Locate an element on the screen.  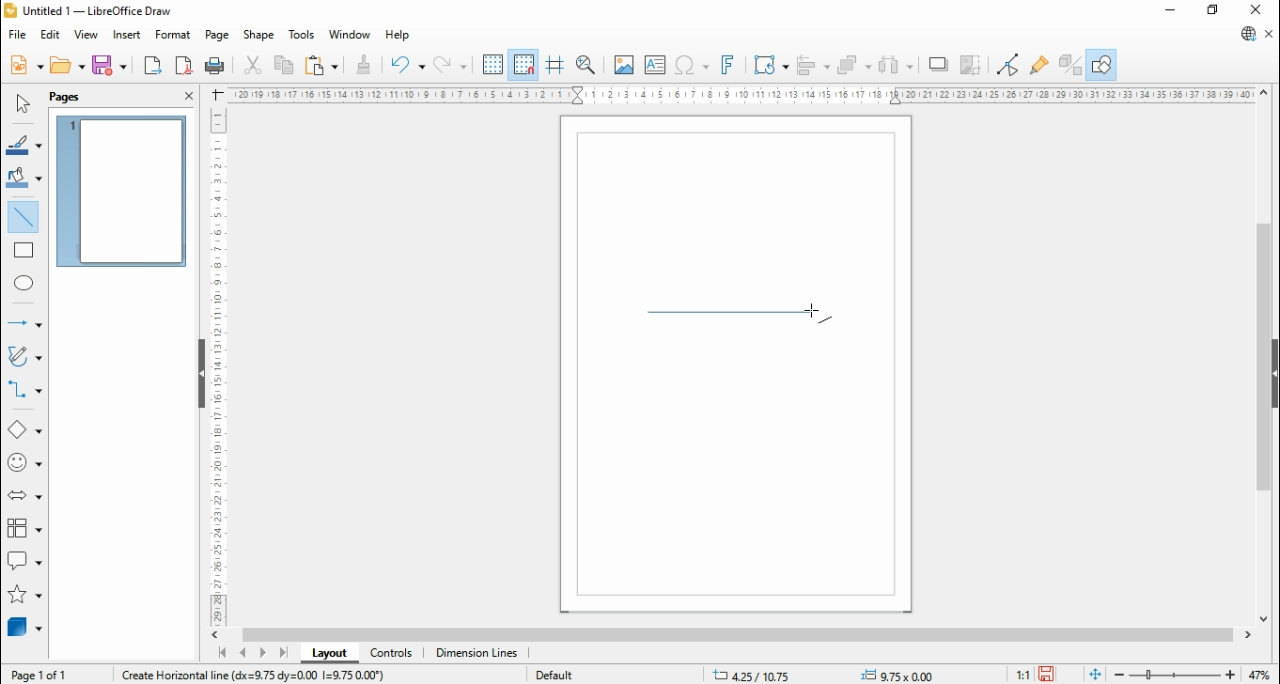
shadow is located at coordinates (940, 64).